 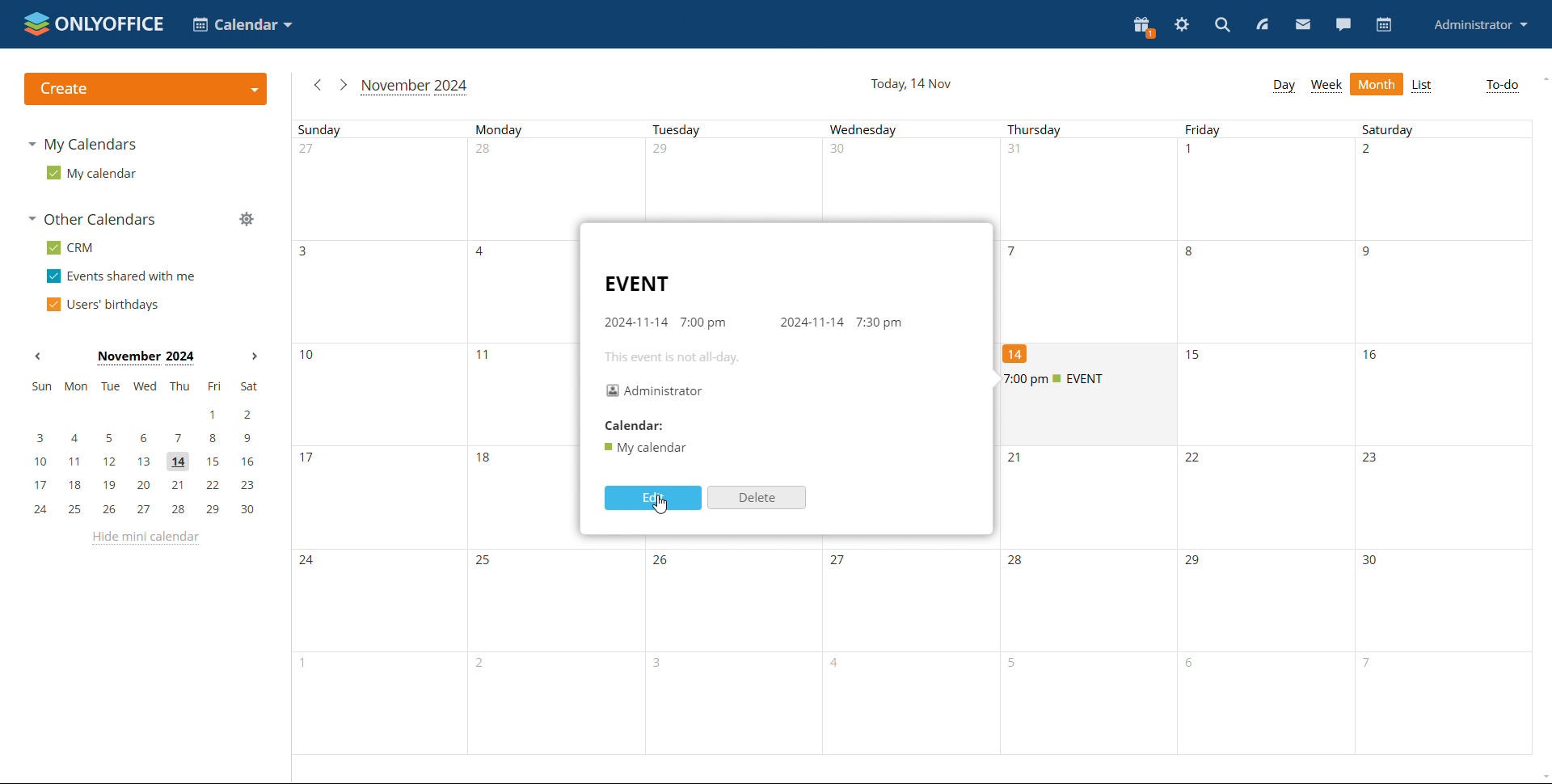 I want to click on manage, so click(x=246, y=218).